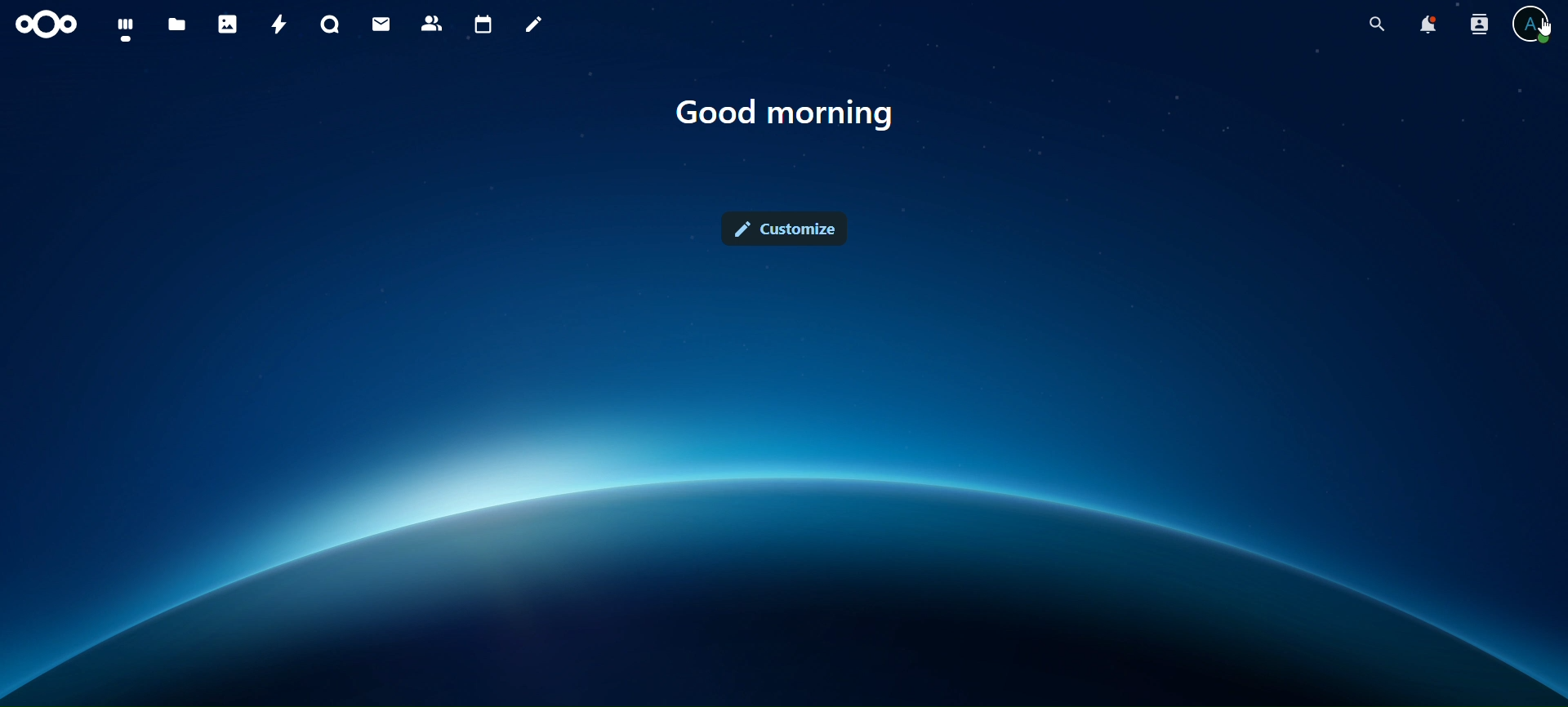 This screenshot has width=1568, height=707. I want to click on notes, so click(537, 26).